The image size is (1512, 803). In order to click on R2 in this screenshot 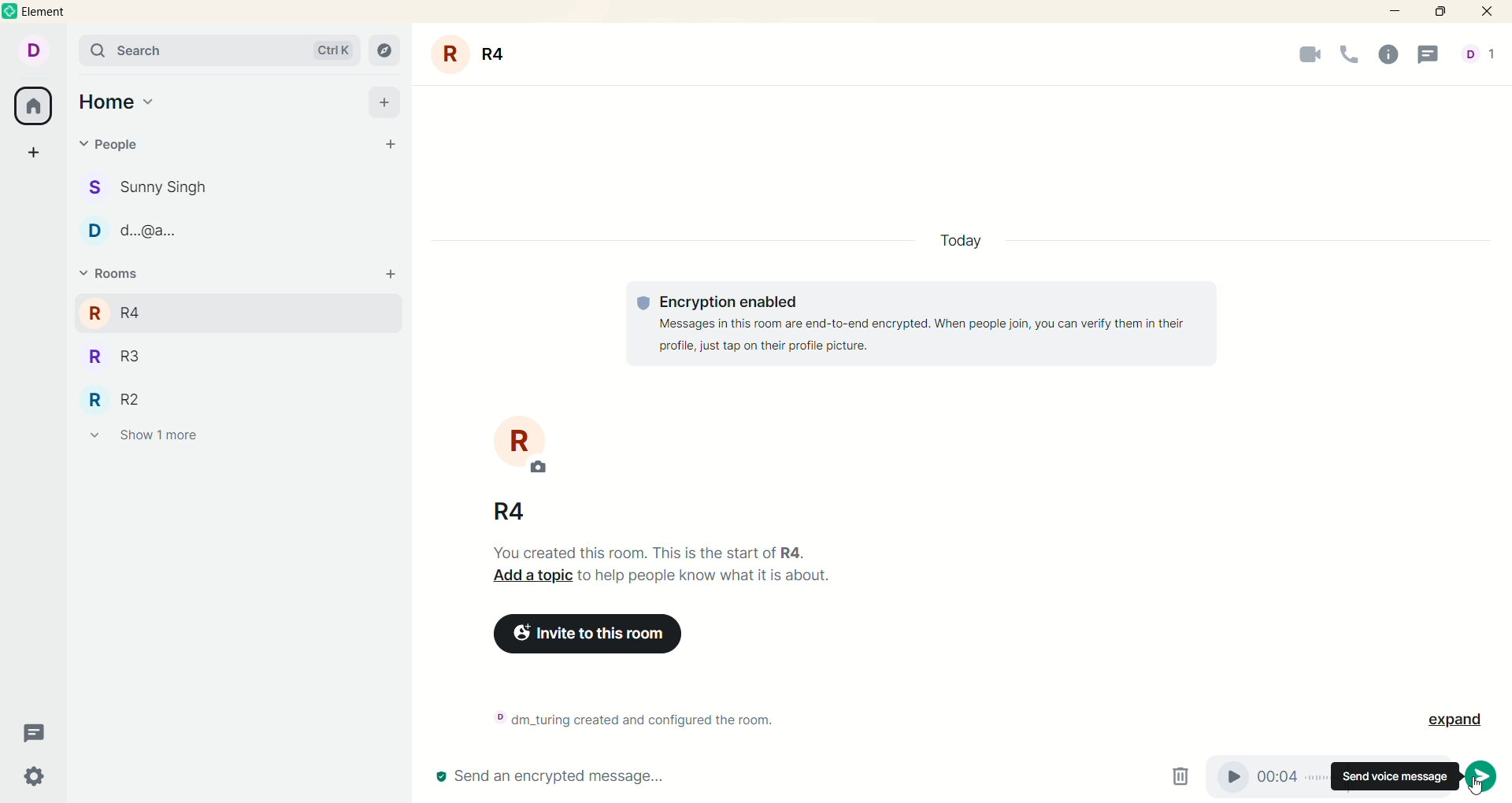, I will do `click(133, 398)`.